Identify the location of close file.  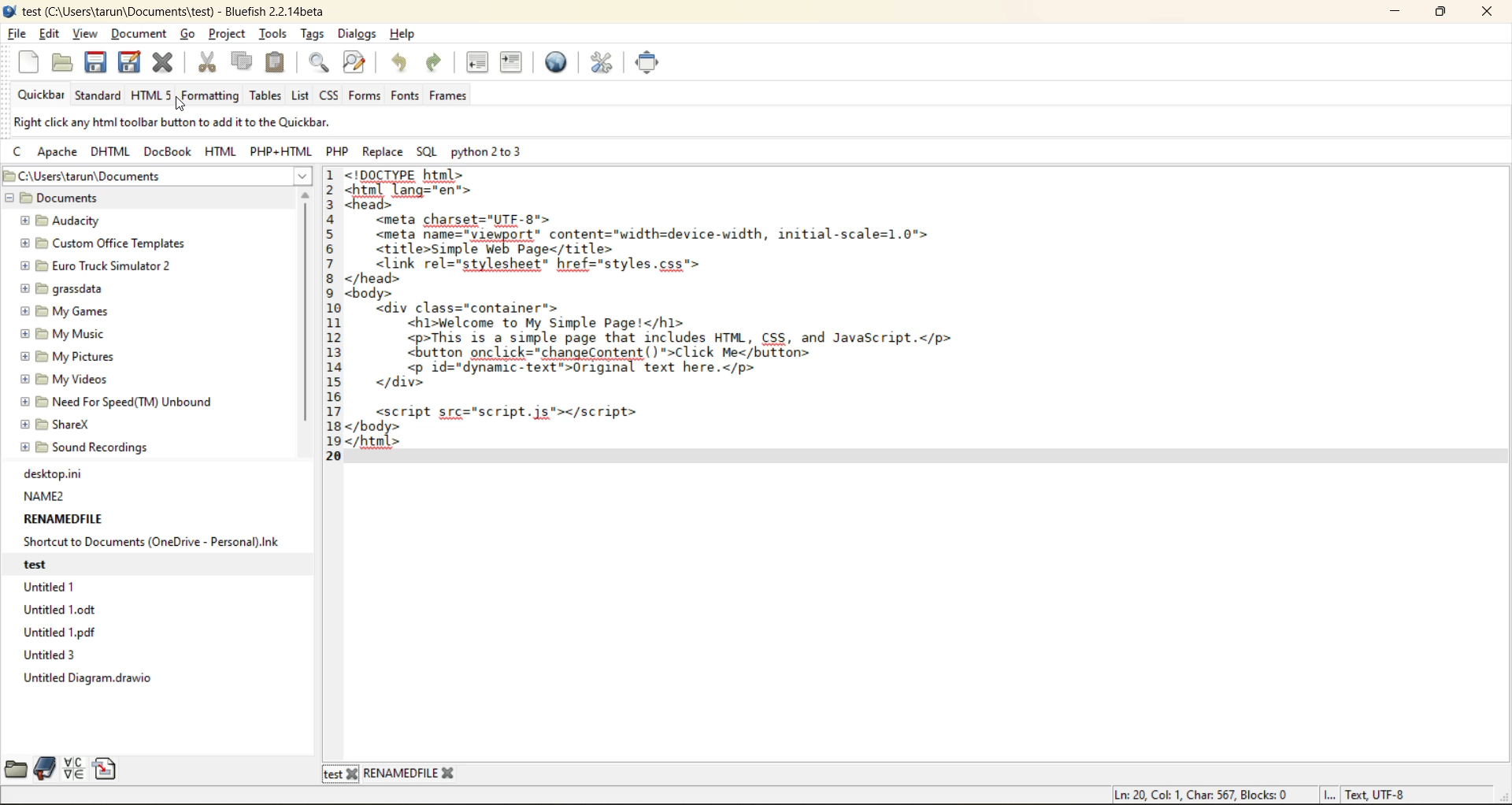
(165, 62).